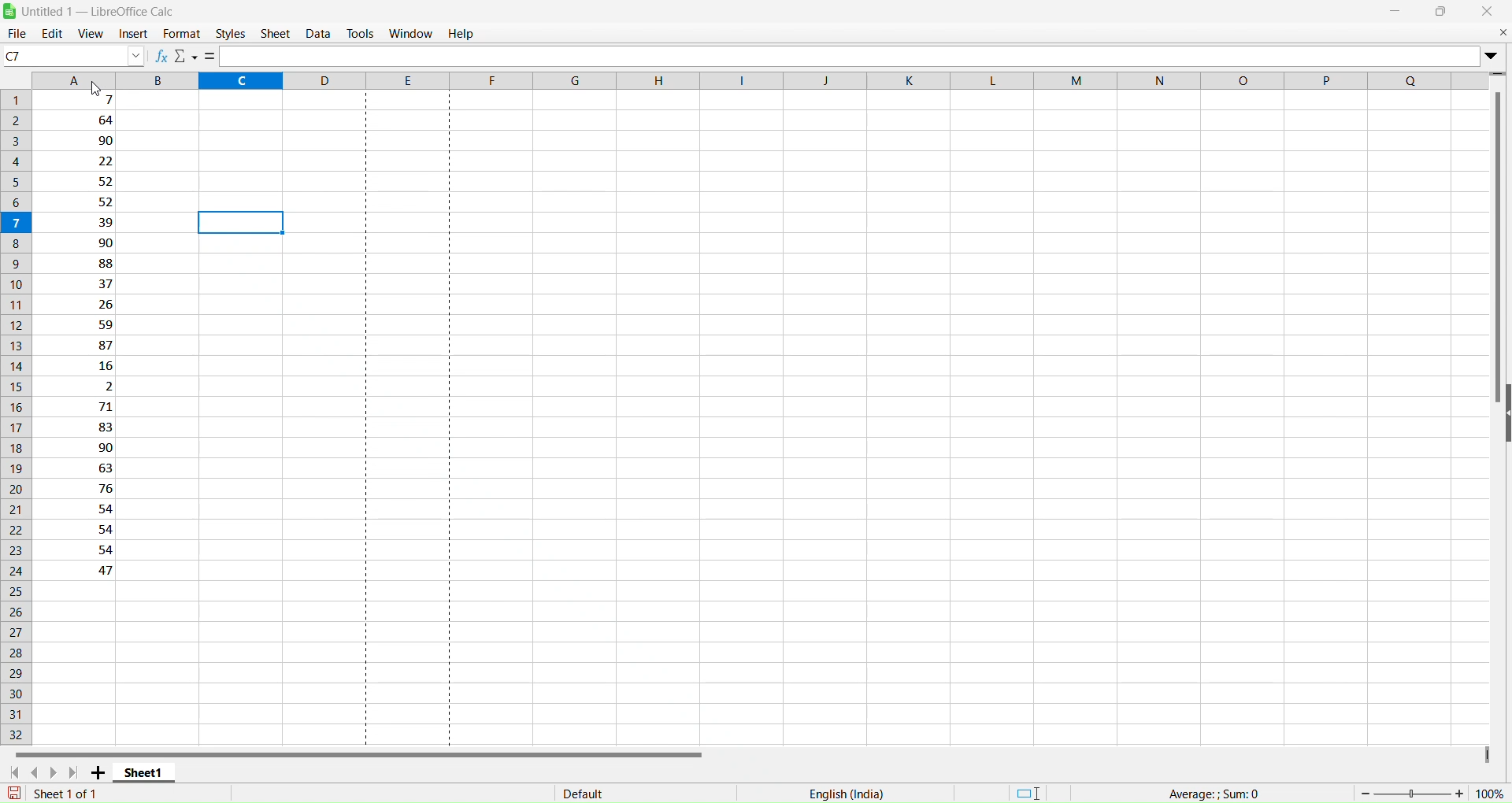  What do you see at coordinates (75, 794) in the screenshot?
I see `Total Sheets ` at bounding box center [75, 794].